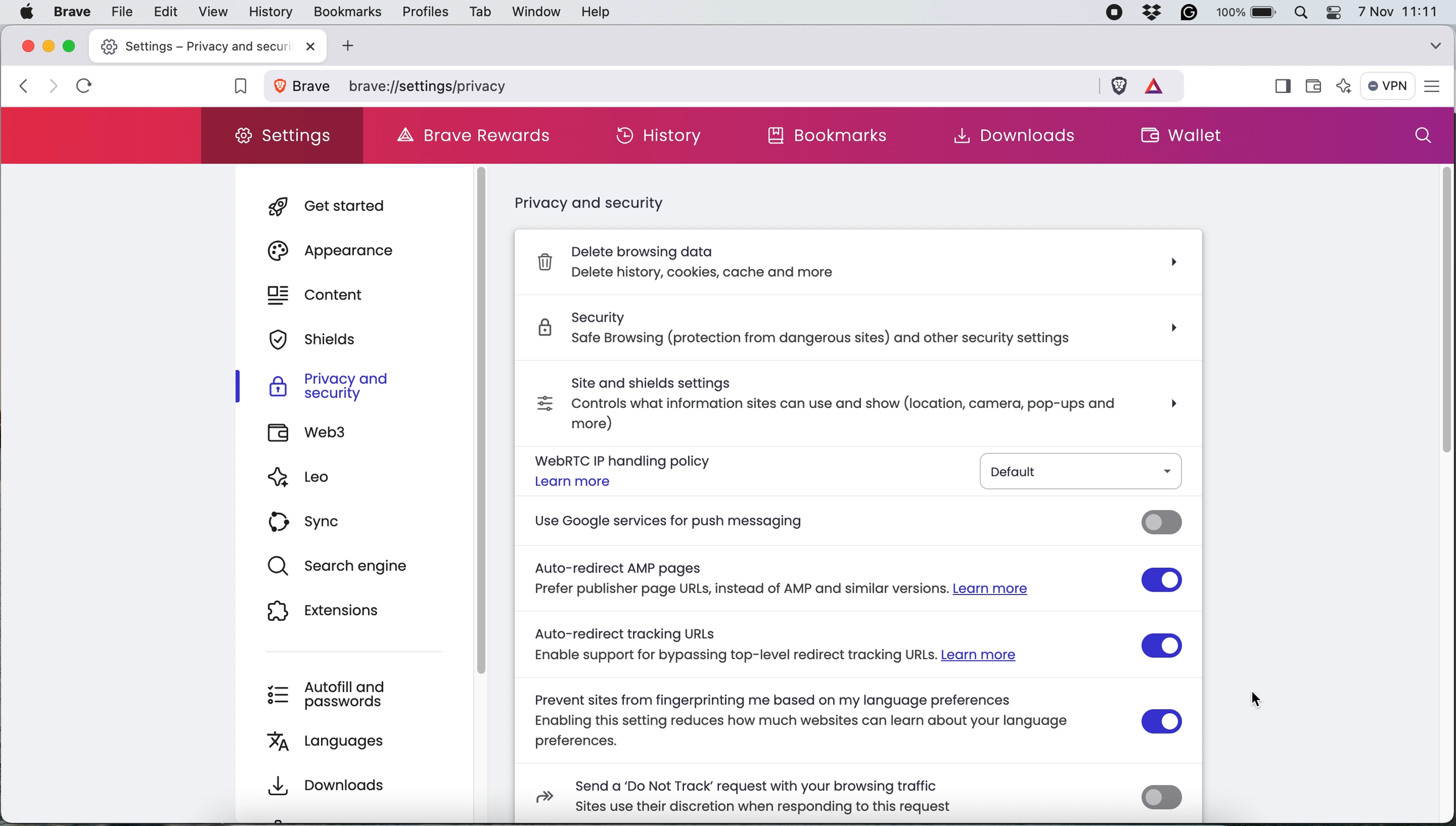 Image resolution: width=1456 pixels, height=826 pixels. What do you see at coordinates (596, 13) in the screenshot?
I see `help` at bounding box center [596, 13].